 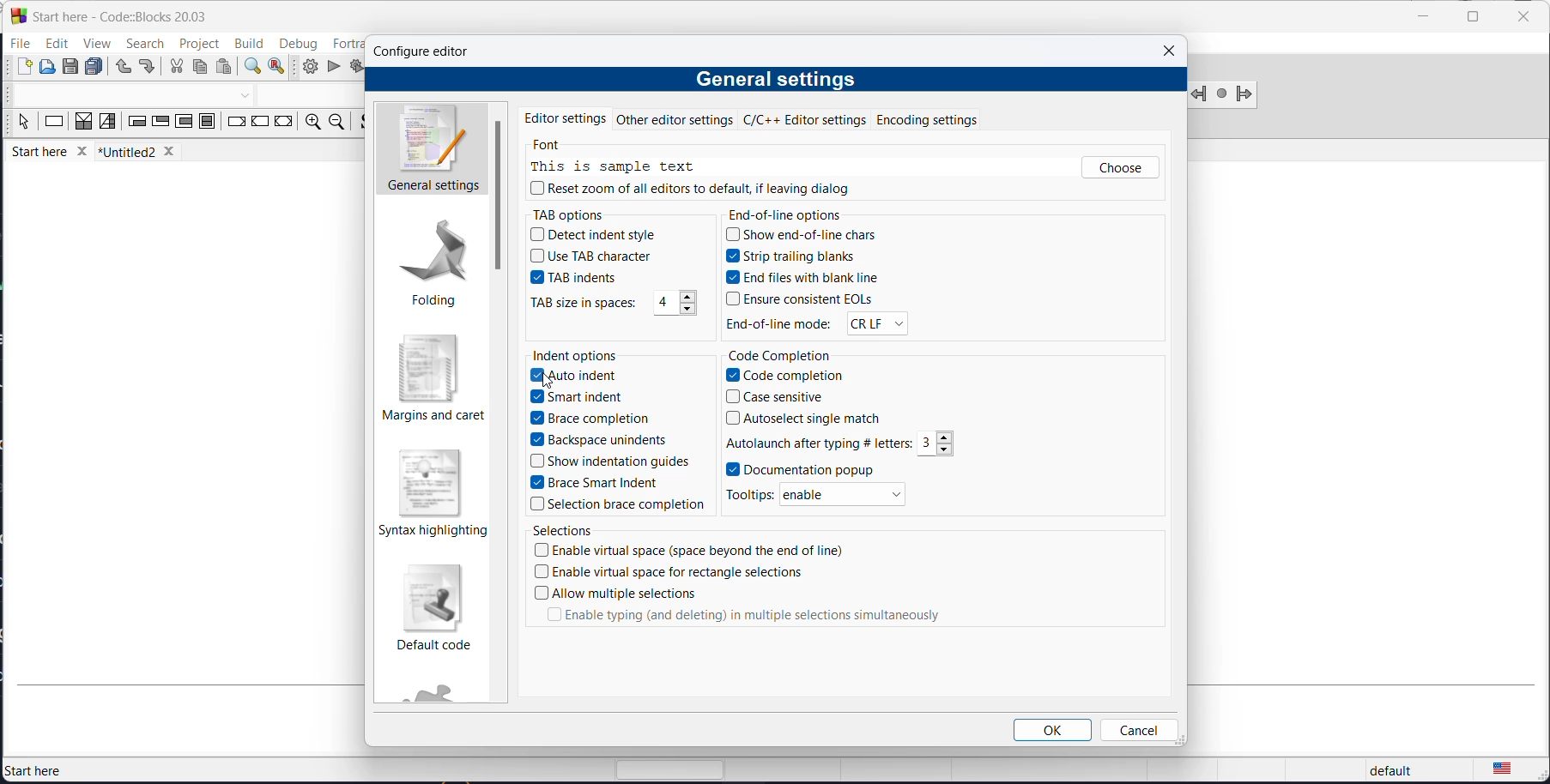 What do you see at coordinates (808, 119) in the screenshot?
I see `c++ editor setttings` at bounding box center [808, 119].